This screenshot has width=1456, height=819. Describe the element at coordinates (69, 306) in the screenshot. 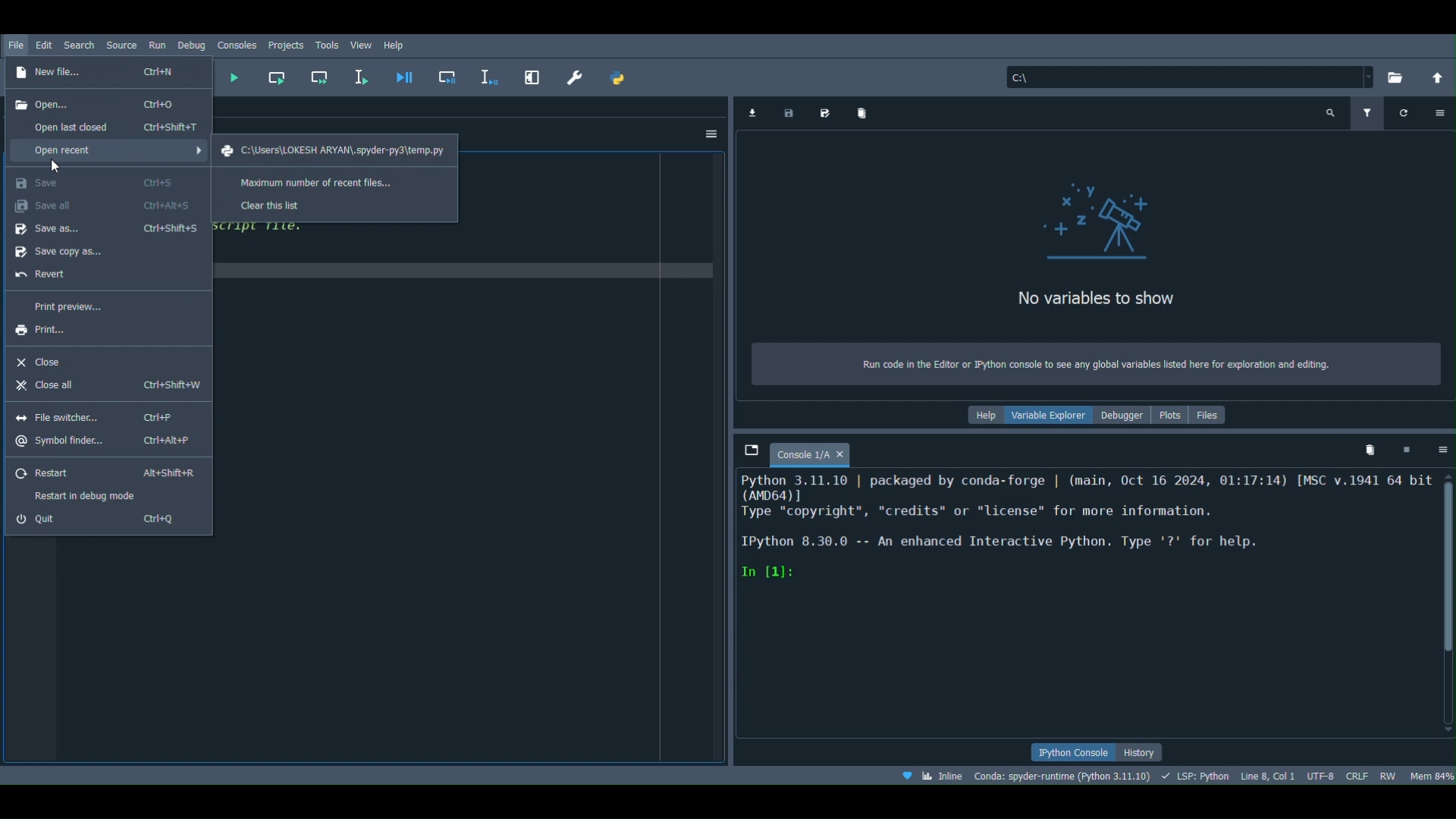

I see `Print preview` at that location.